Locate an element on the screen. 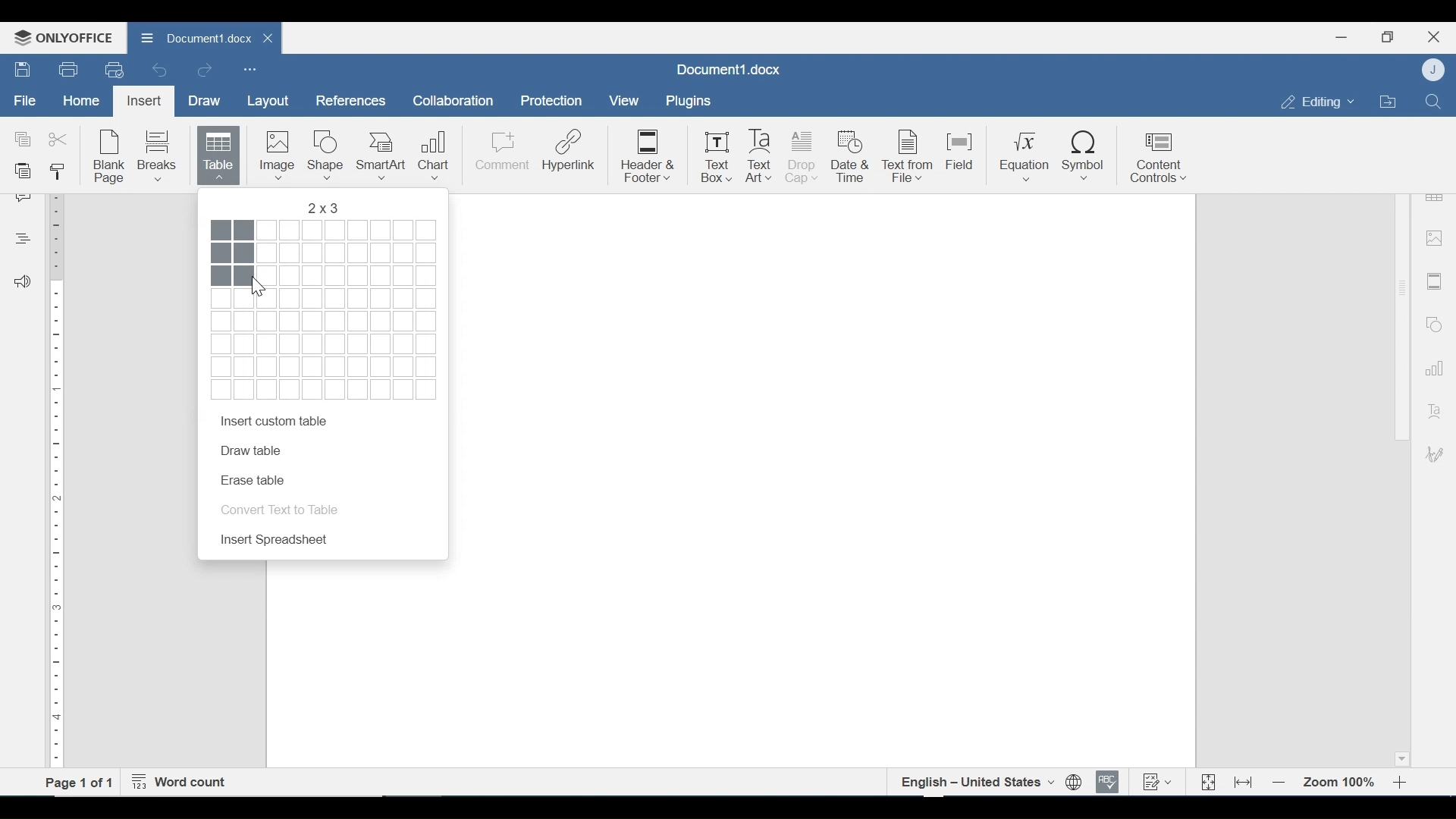 This screenshot has width=1456, height=819. Word Count is located at coordinates (183, 783).